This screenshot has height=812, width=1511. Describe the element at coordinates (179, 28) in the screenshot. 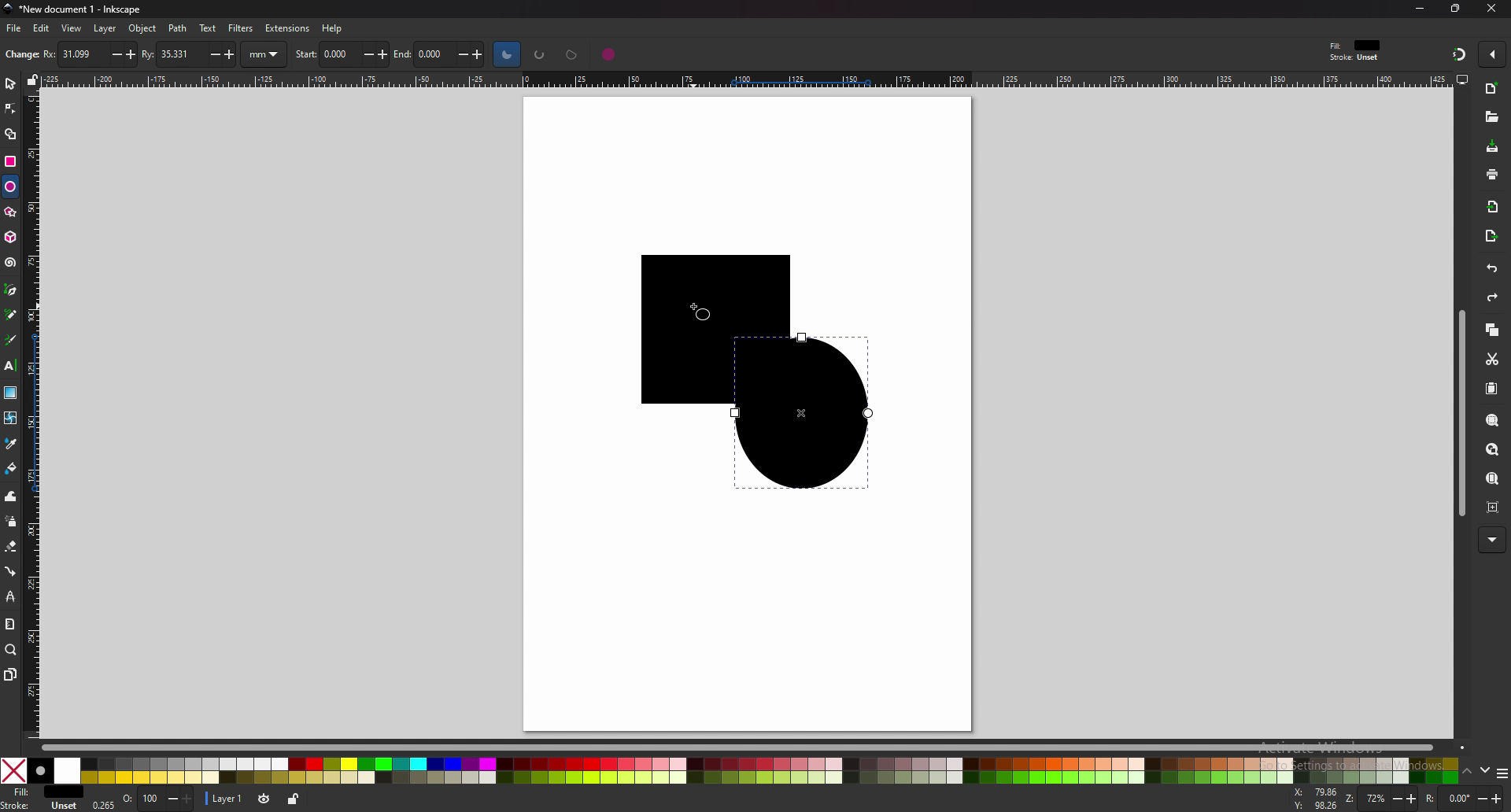

I see `path` at that location.